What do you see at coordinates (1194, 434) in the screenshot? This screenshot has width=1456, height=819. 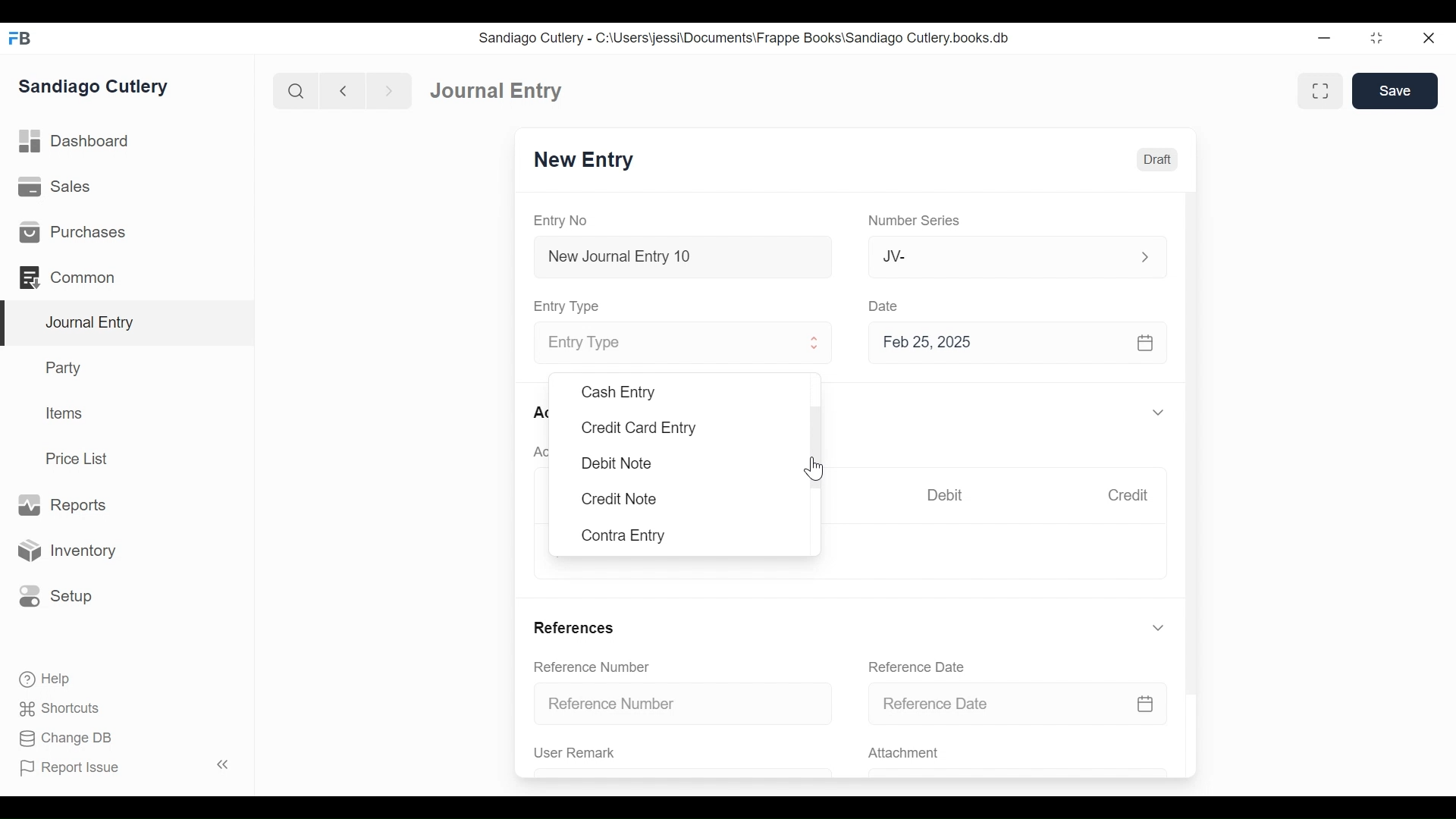 I see `Vertical Scroll bar` at bounding box center [1194, 434].